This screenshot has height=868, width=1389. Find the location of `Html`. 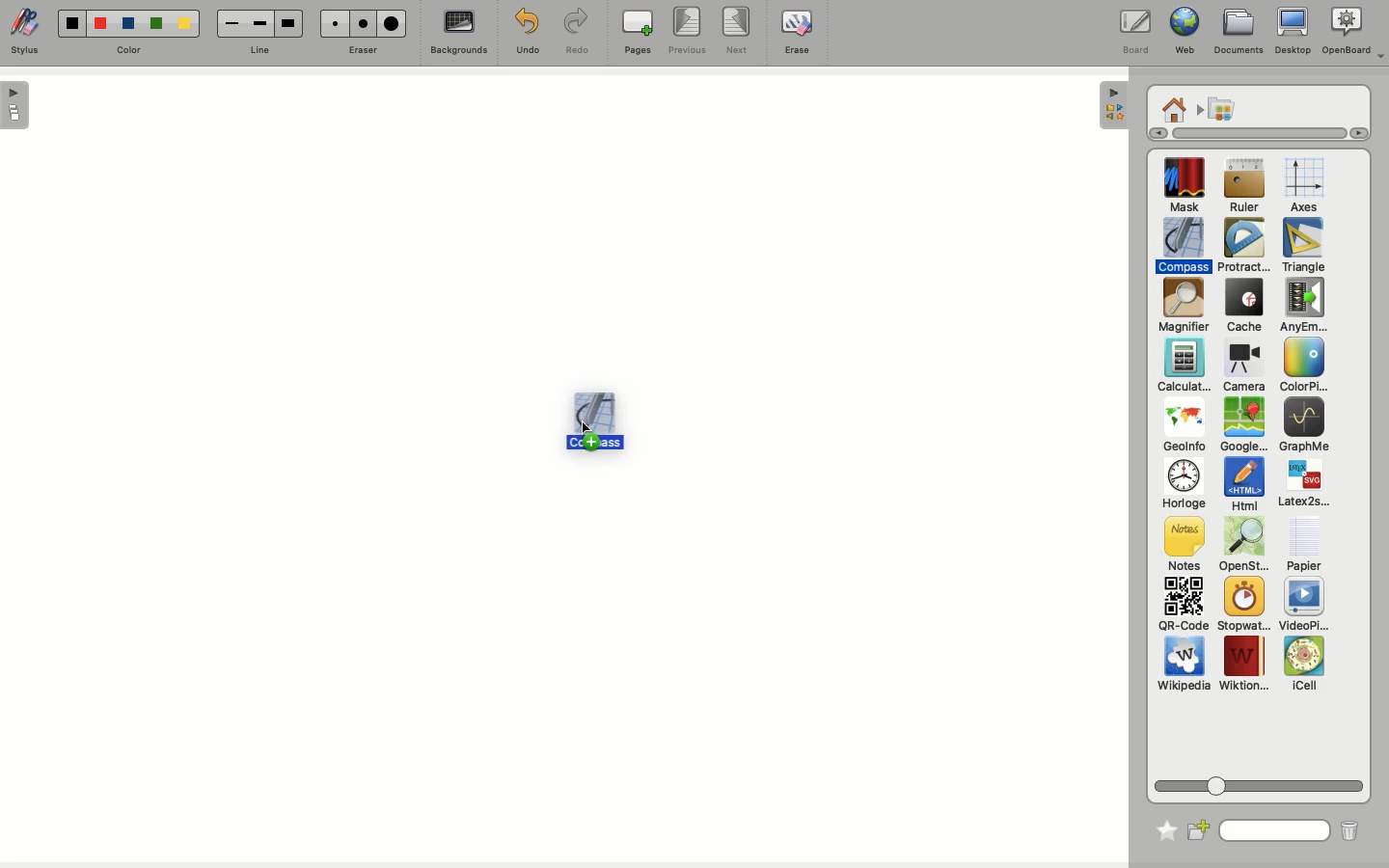

Html is located at coordinates (1242, 486).